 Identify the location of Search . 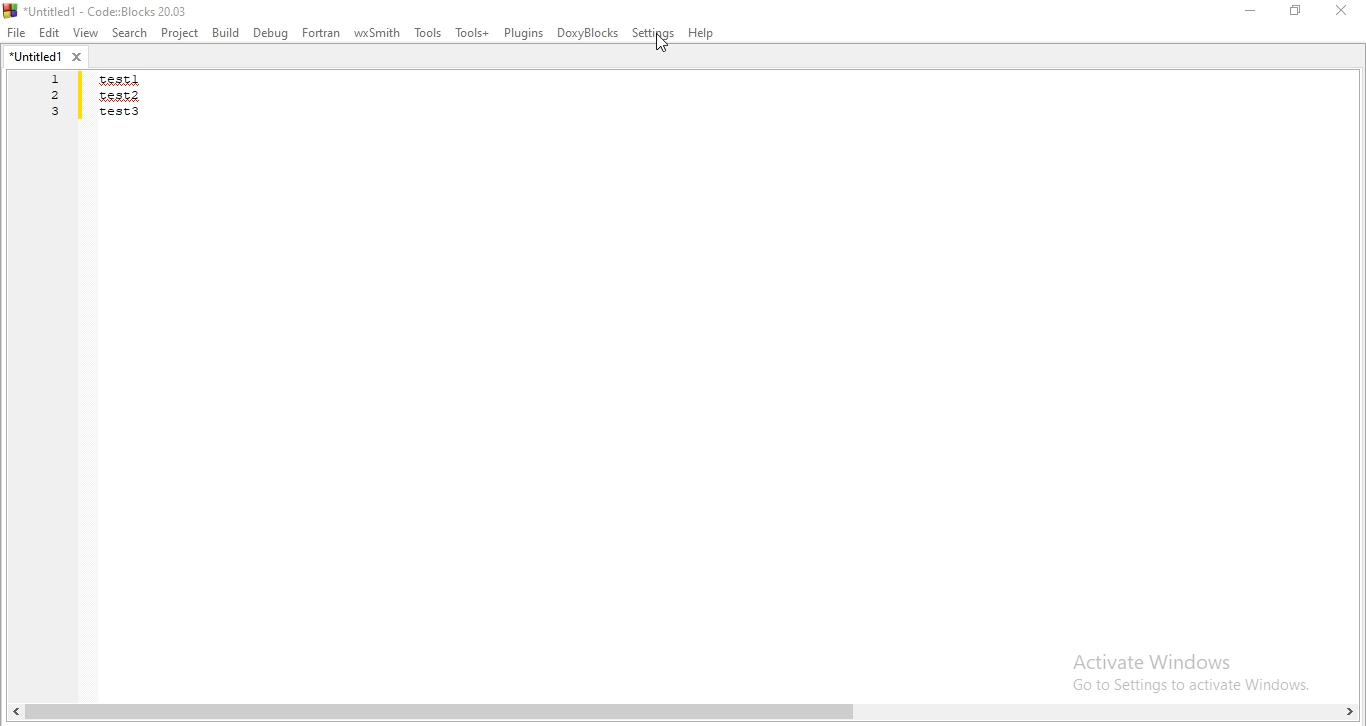
(130, 34).